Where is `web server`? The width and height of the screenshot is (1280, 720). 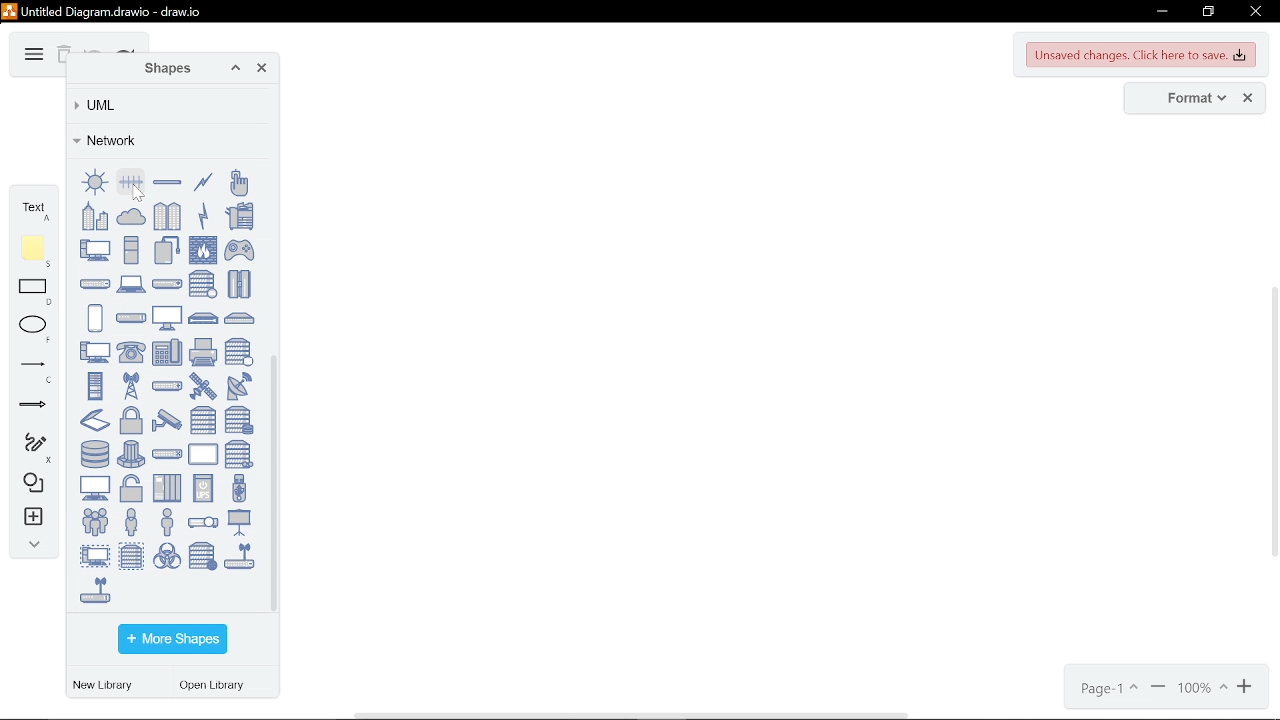 web server is located at coordinates (203, 556).